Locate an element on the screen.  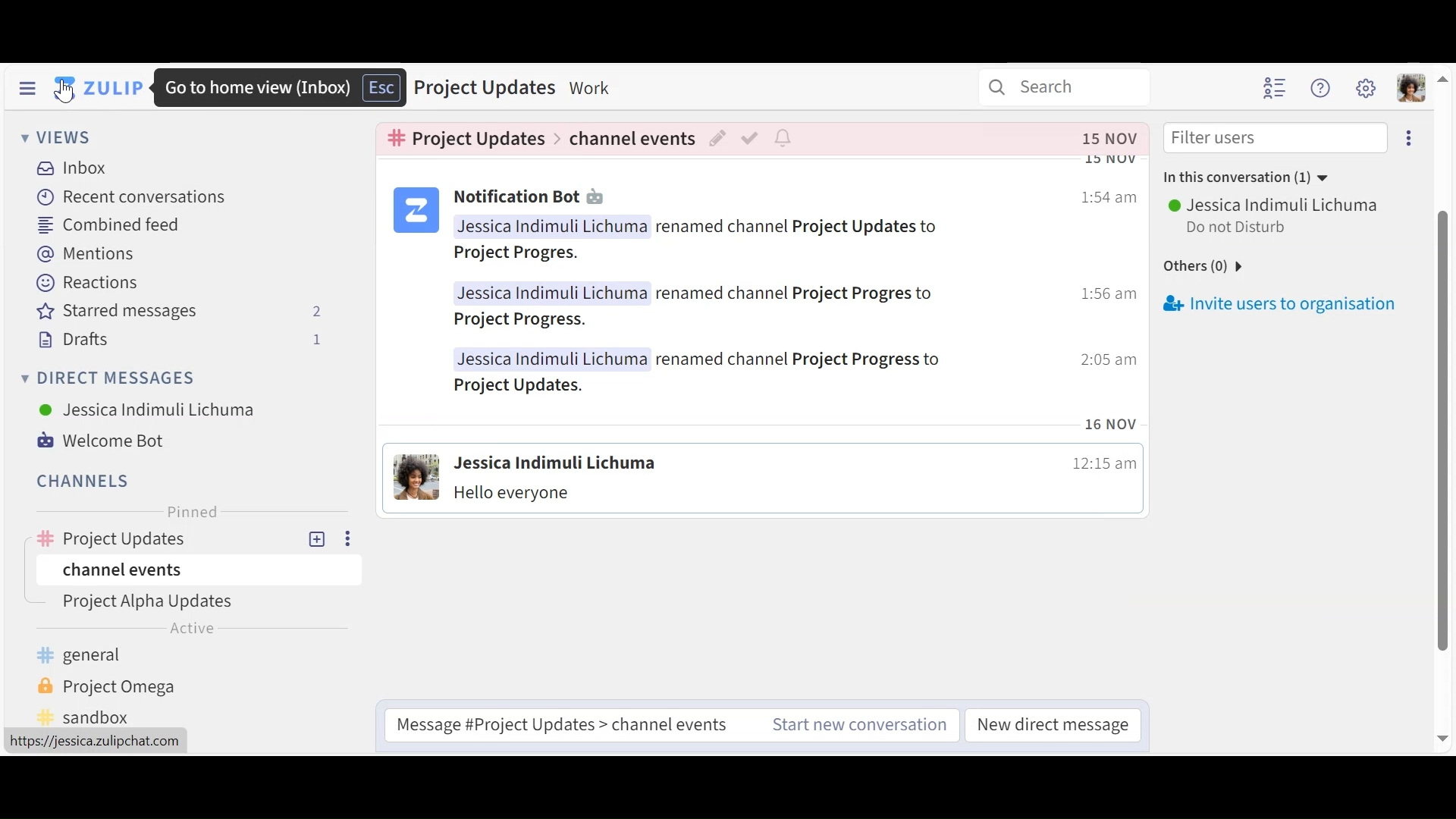
Configure notification is located at coordinates (786, 139).